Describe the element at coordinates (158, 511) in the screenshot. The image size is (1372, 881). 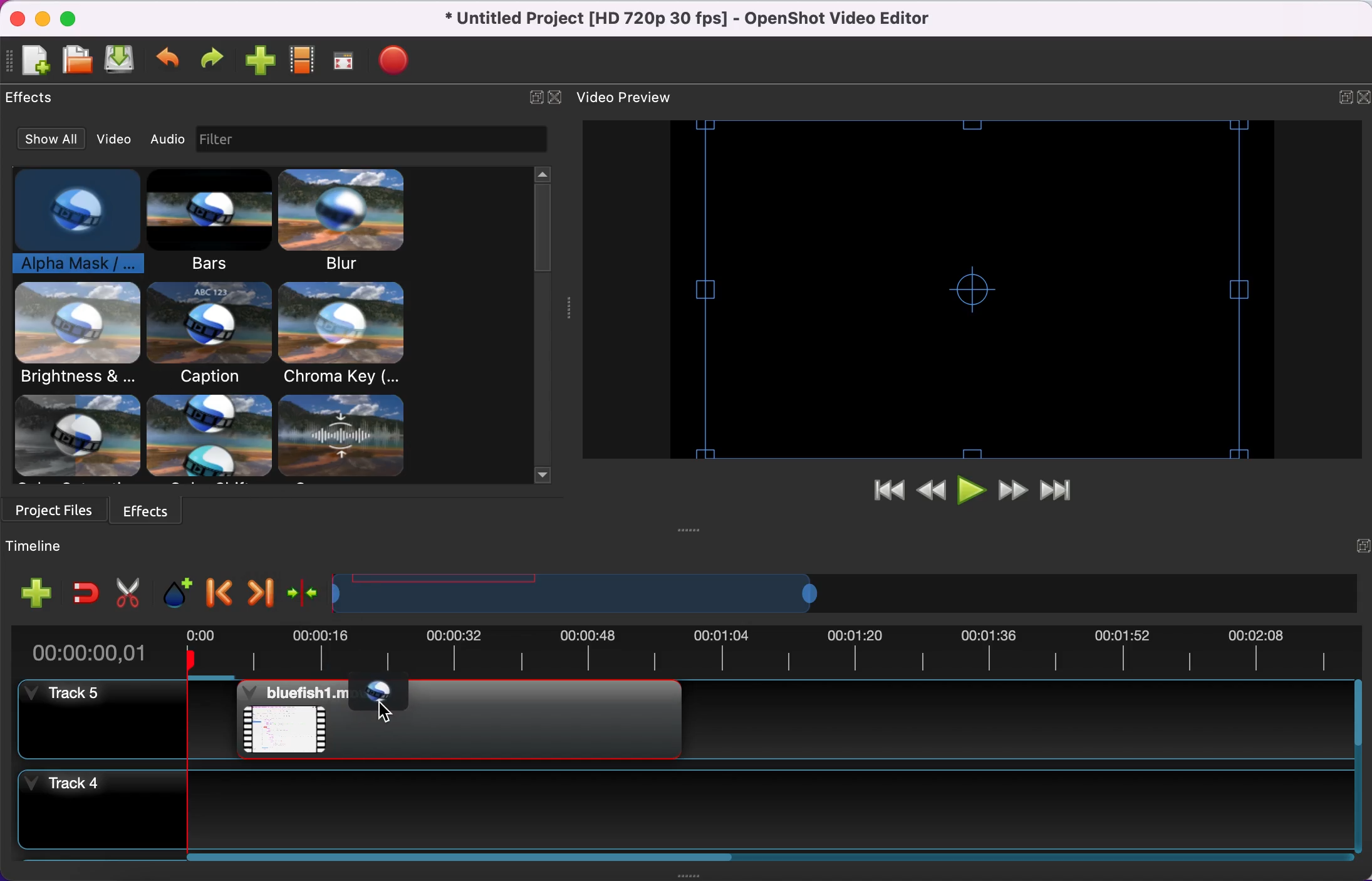
I see `effects` at that location.